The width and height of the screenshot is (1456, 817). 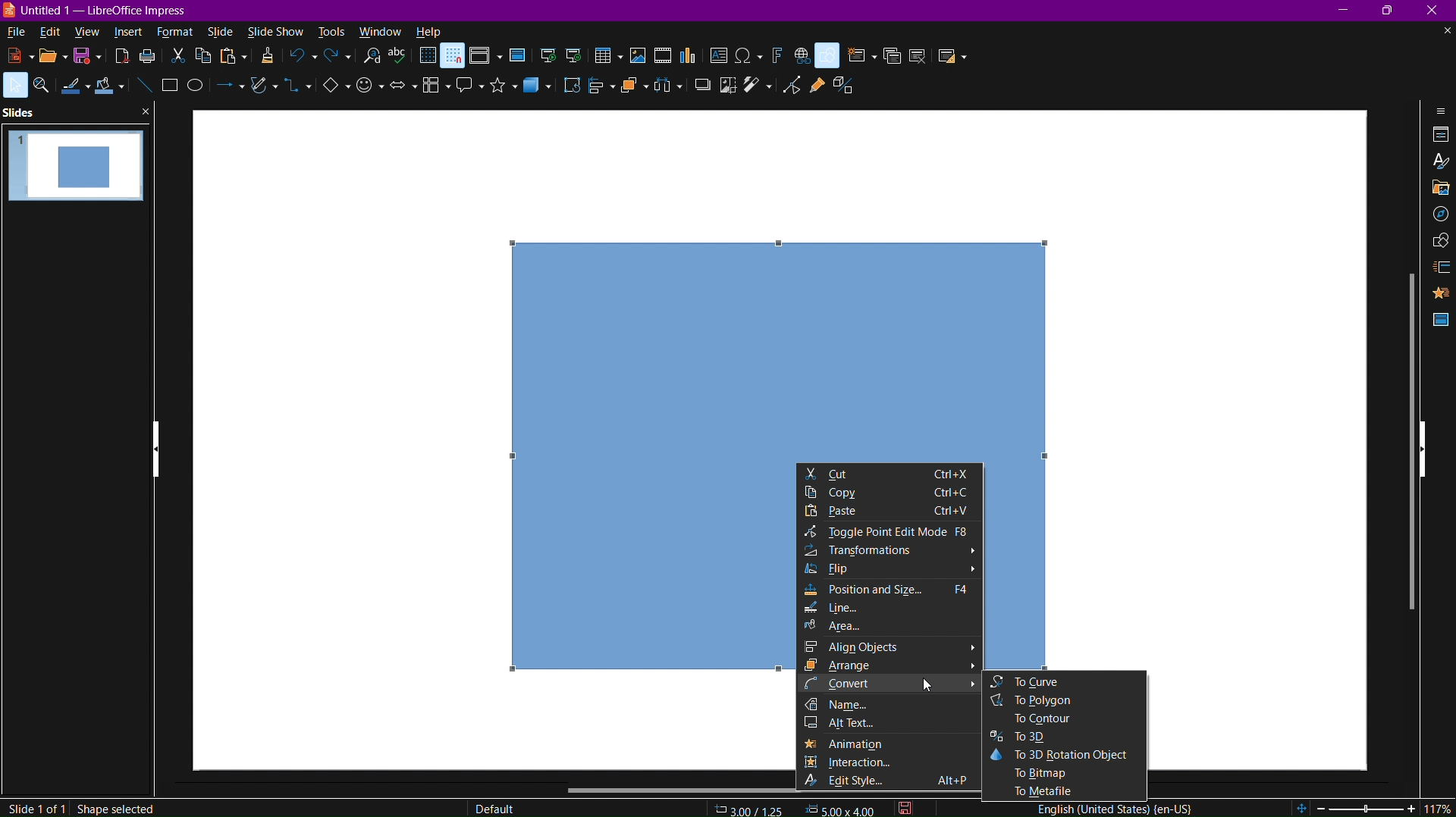 I want to click on Animation, so click(x=890, y=743).